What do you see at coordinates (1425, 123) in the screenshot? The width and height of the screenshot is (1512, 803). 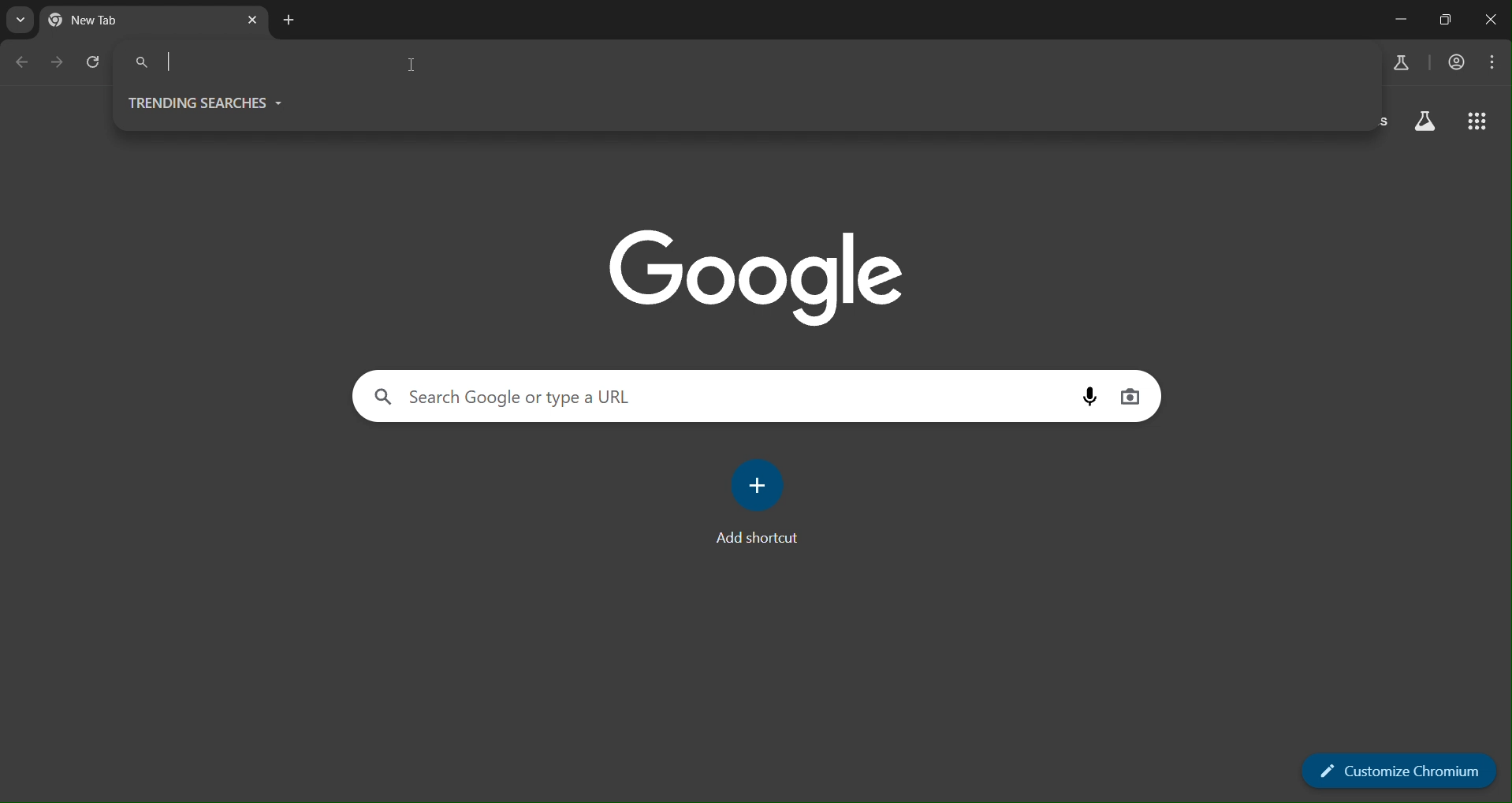 I see `search labs` at bounding box center [1425, 123].